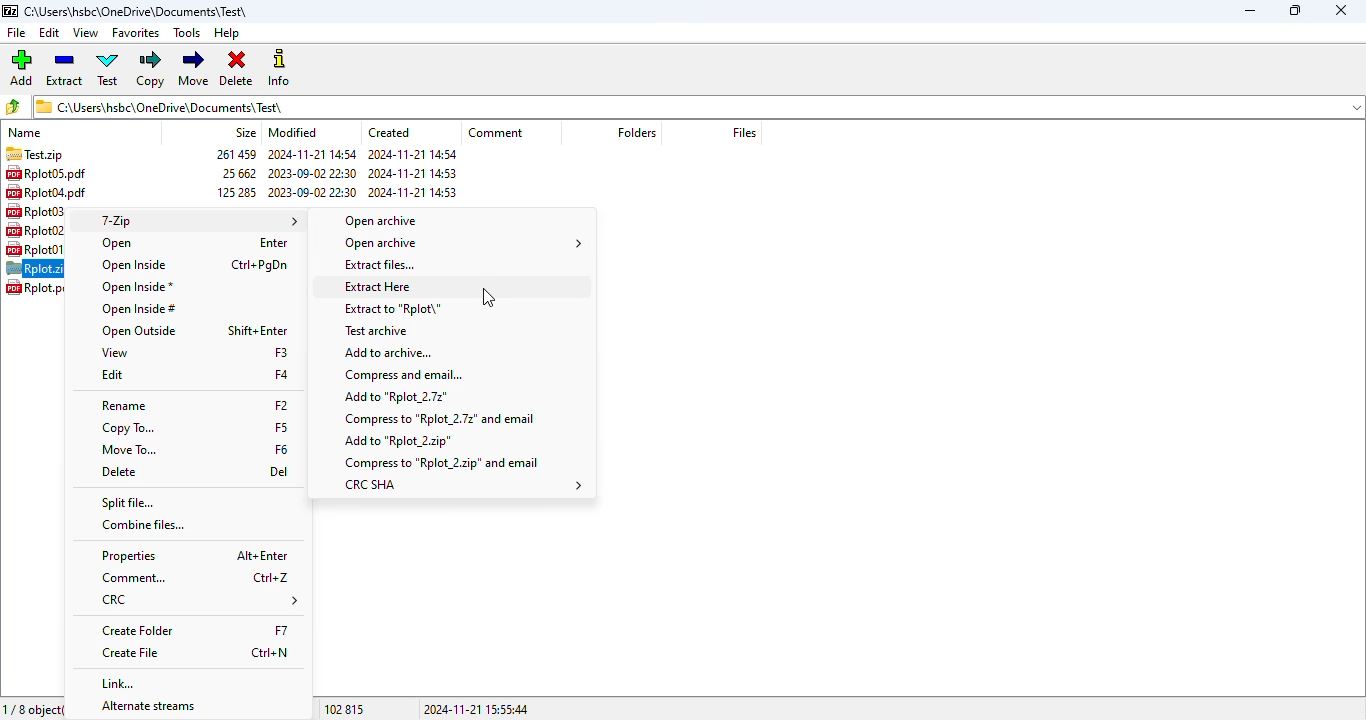 The height and width of the screenshot is (720, 1366). I want to click on open inside*, so click(137, 287).